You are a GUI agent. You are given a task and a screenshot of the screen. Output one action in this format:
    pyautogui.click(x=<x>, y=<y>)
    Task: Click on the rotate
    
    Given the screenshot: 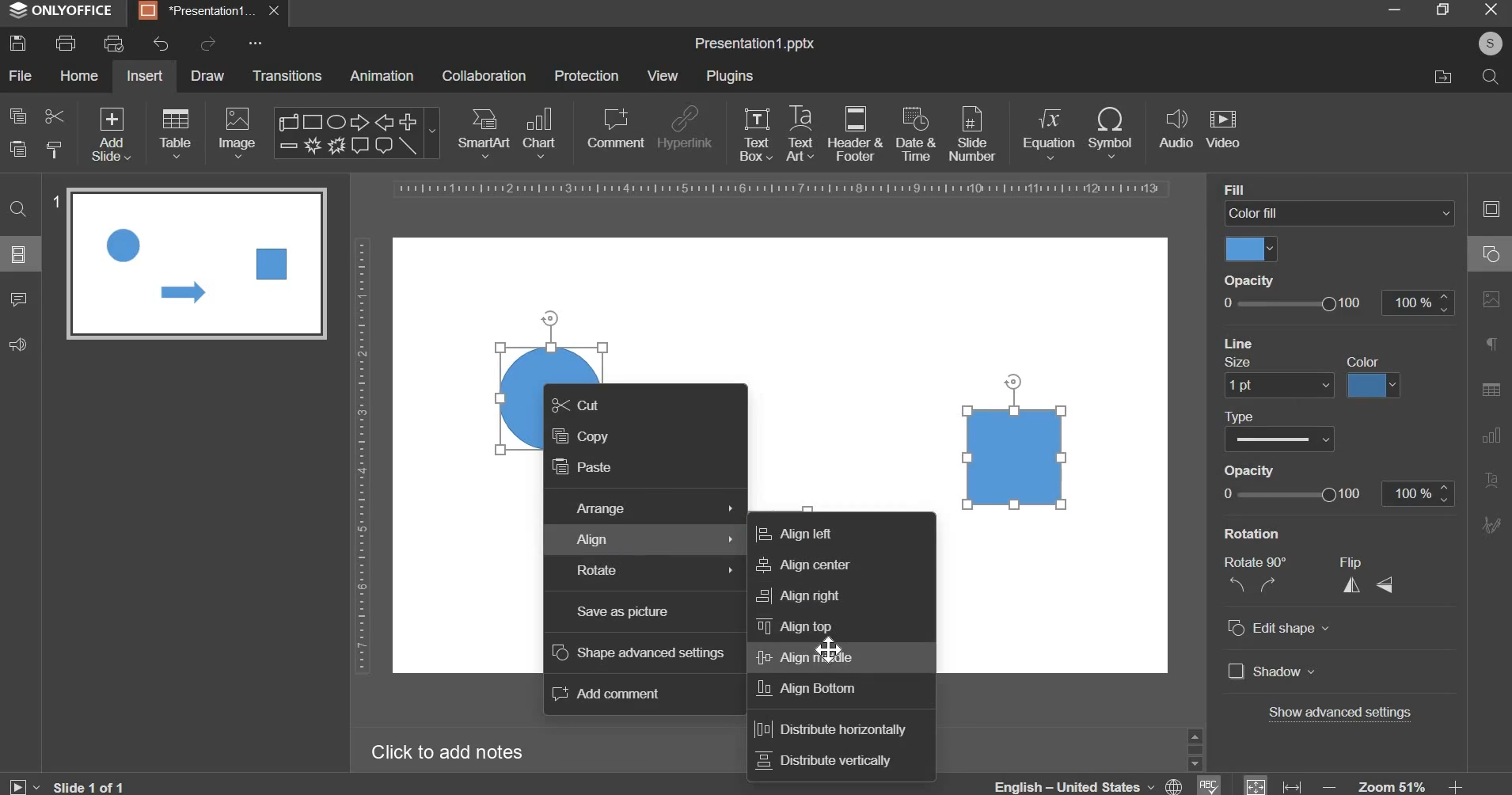 What is the action you would take?
    pyautogui.click(x=655, y=572)
    